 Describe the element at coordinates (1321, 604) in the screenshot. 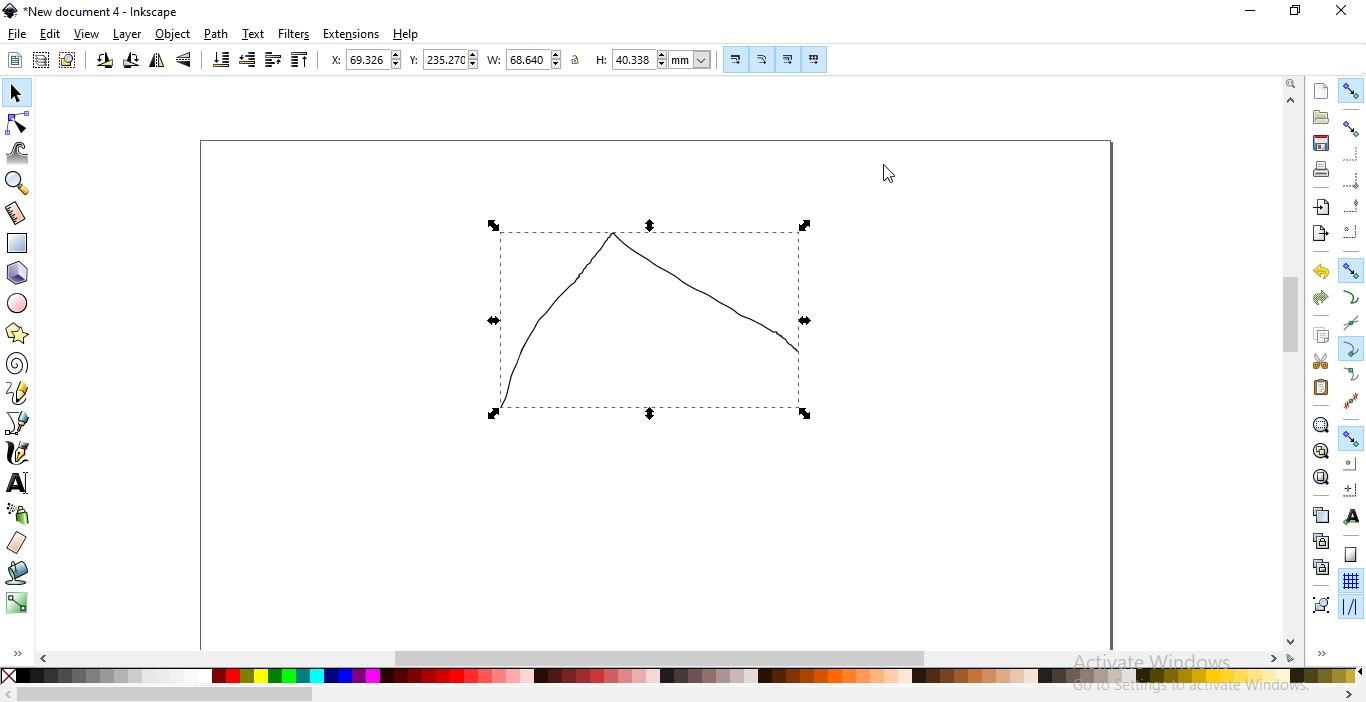

I see `group selected objects` at that location.